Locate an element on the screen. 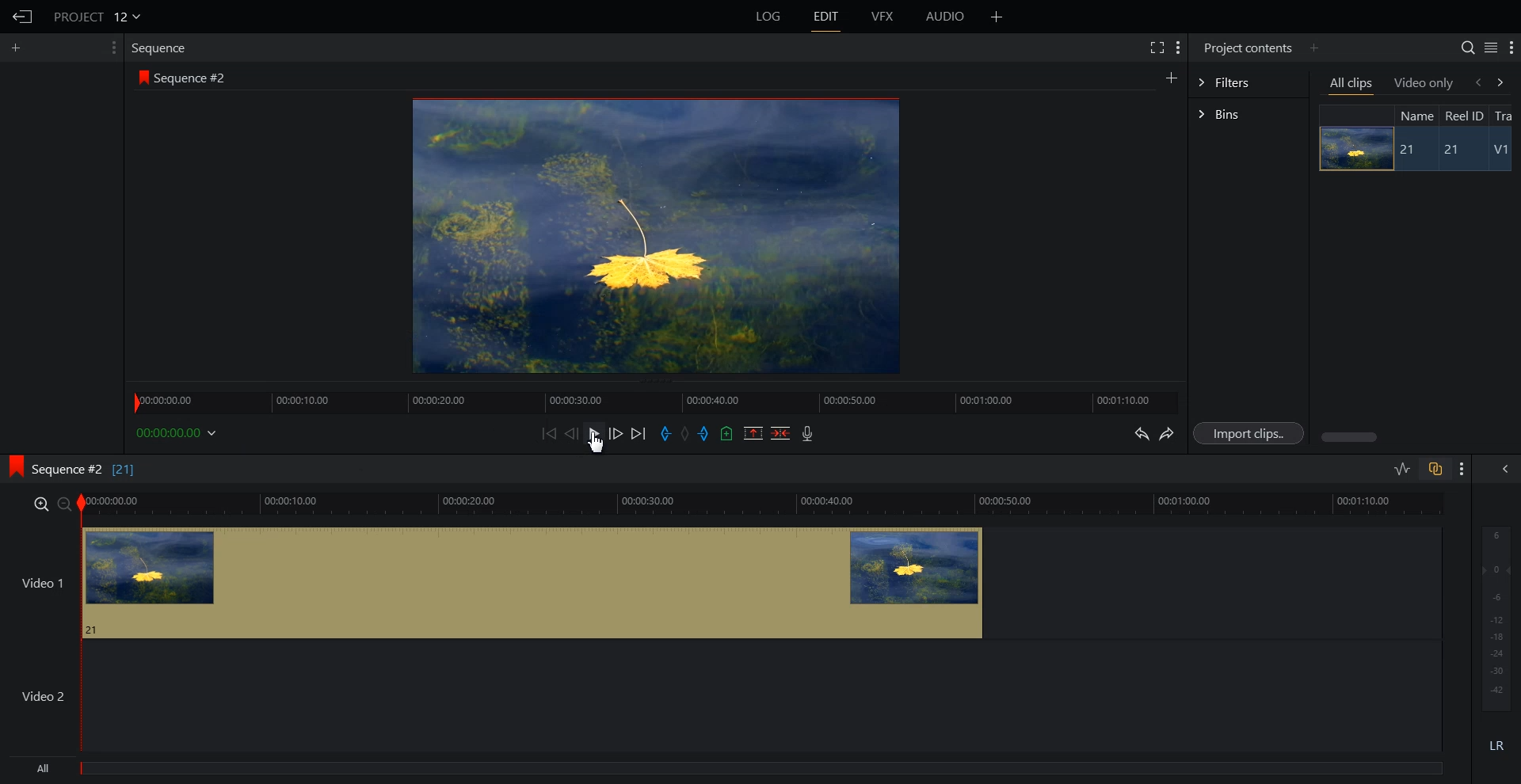 The image size is (1521, 784). Add panel is located at coordinates (997, 17).